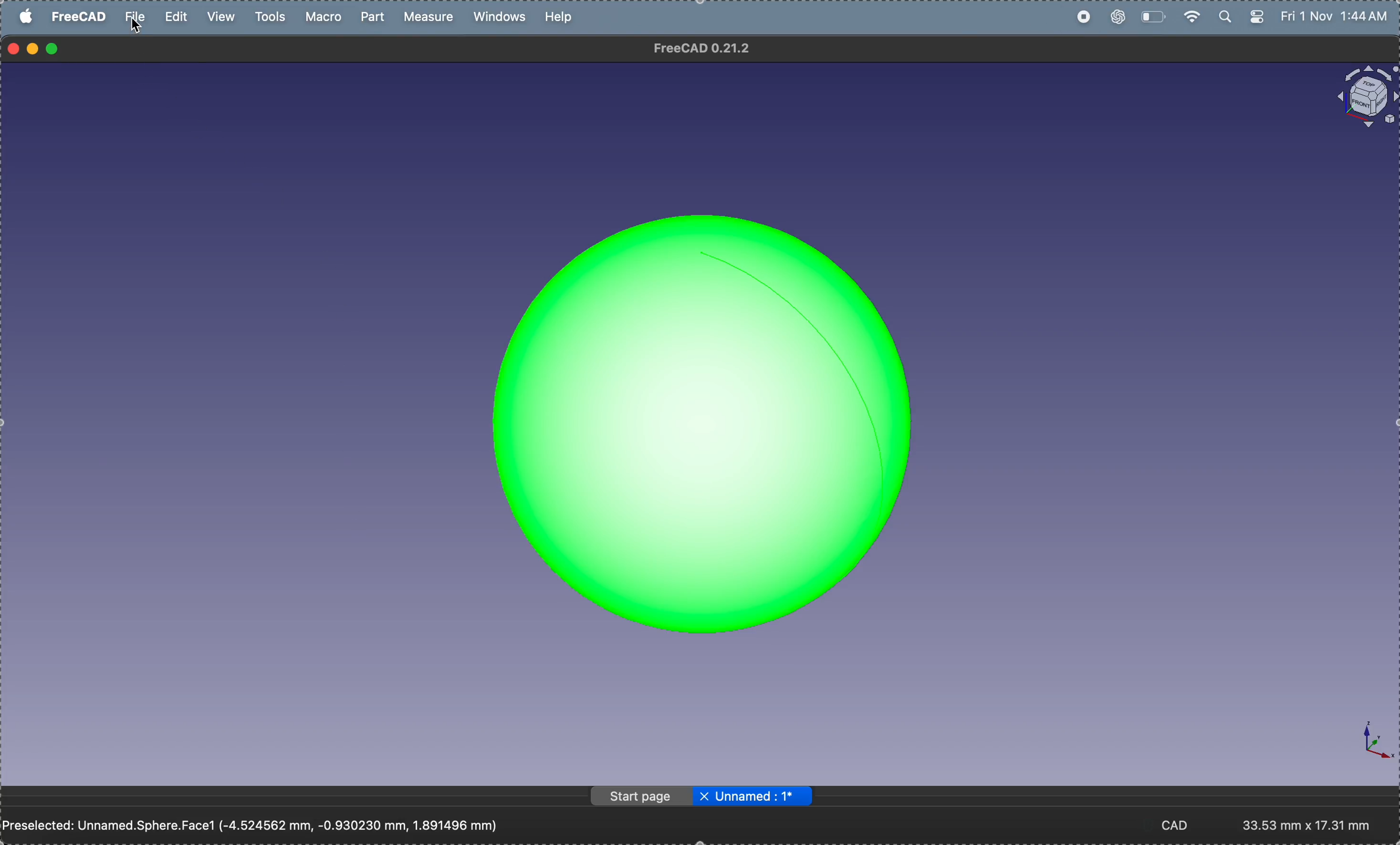 This screenshot has width=1400, height=845. Describe the element at coordinates (1153, 16) in the screenshot. I see `battery` at that location.